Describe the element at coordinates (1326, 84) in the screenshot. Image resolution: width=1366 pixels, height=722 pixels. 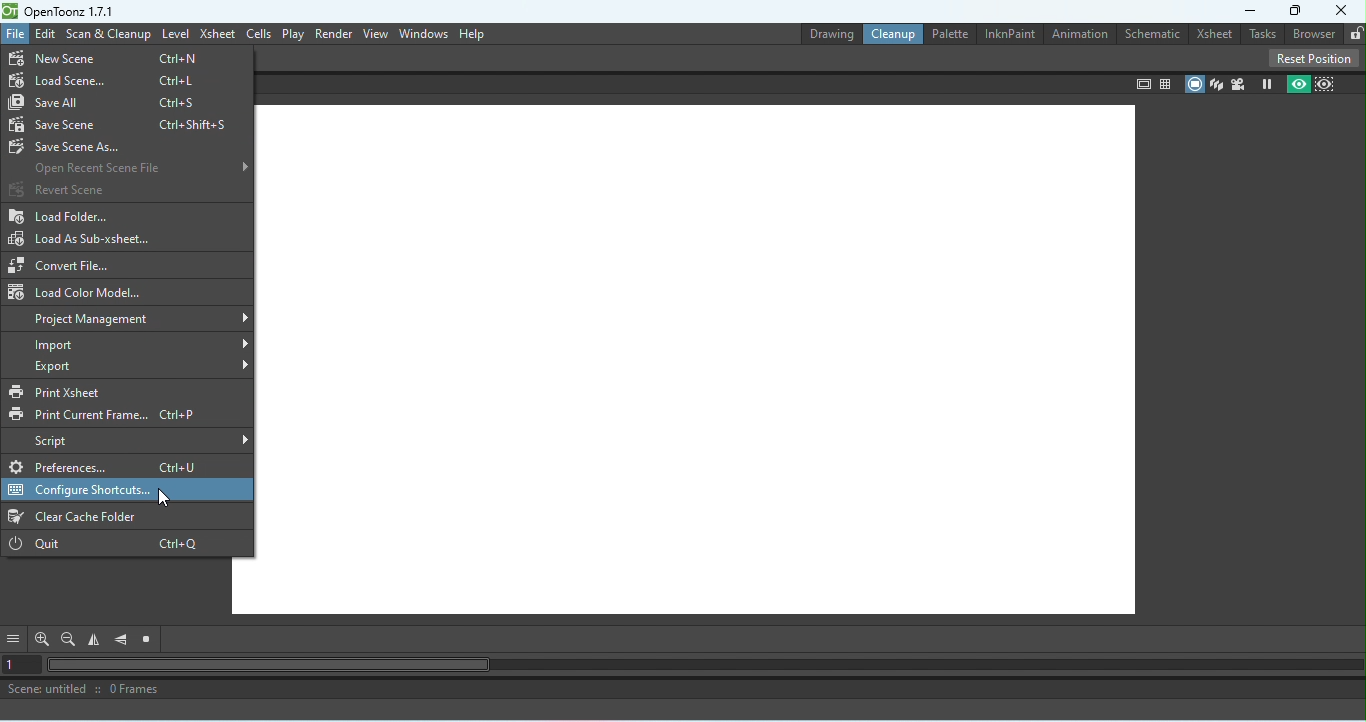
I see `Sub-camera preview` at that location.